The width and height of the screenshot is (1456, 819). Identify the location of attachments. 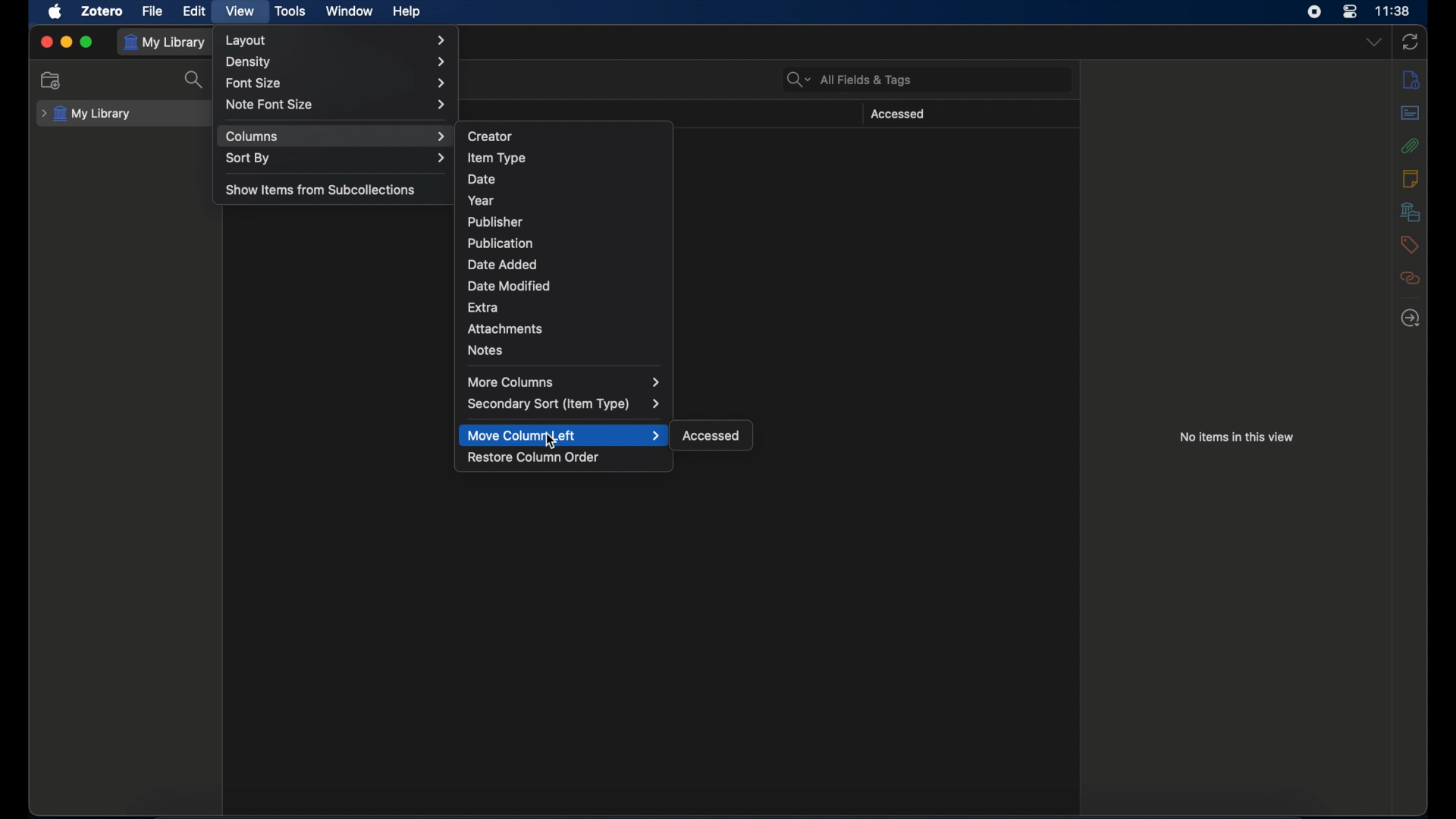
(1410, 146).